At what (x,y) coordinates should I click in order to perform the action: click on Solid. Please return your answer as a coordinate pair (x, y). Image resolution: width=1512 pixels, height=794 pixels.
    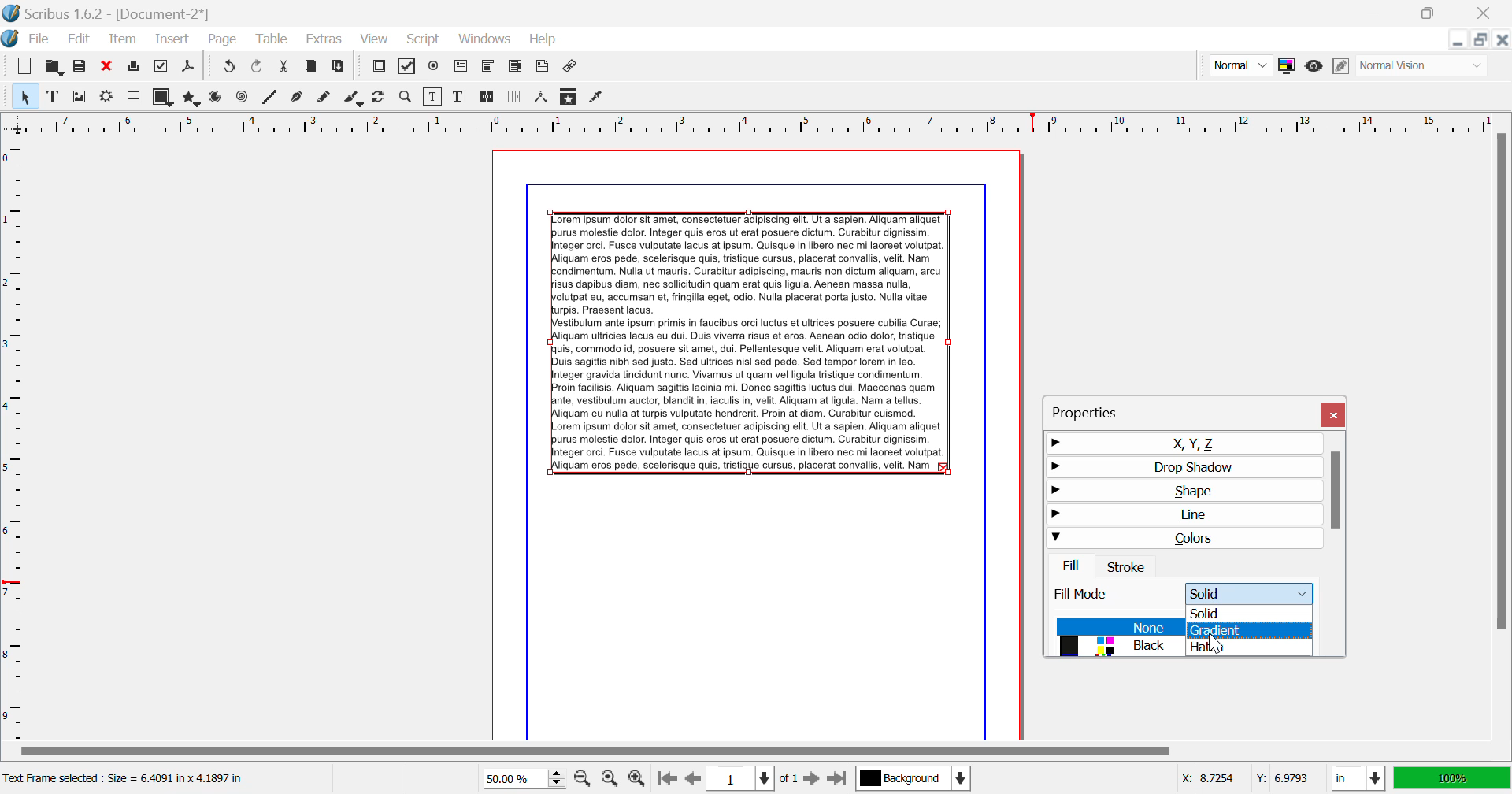
    Looking at the image, I should click on (1251, 612).